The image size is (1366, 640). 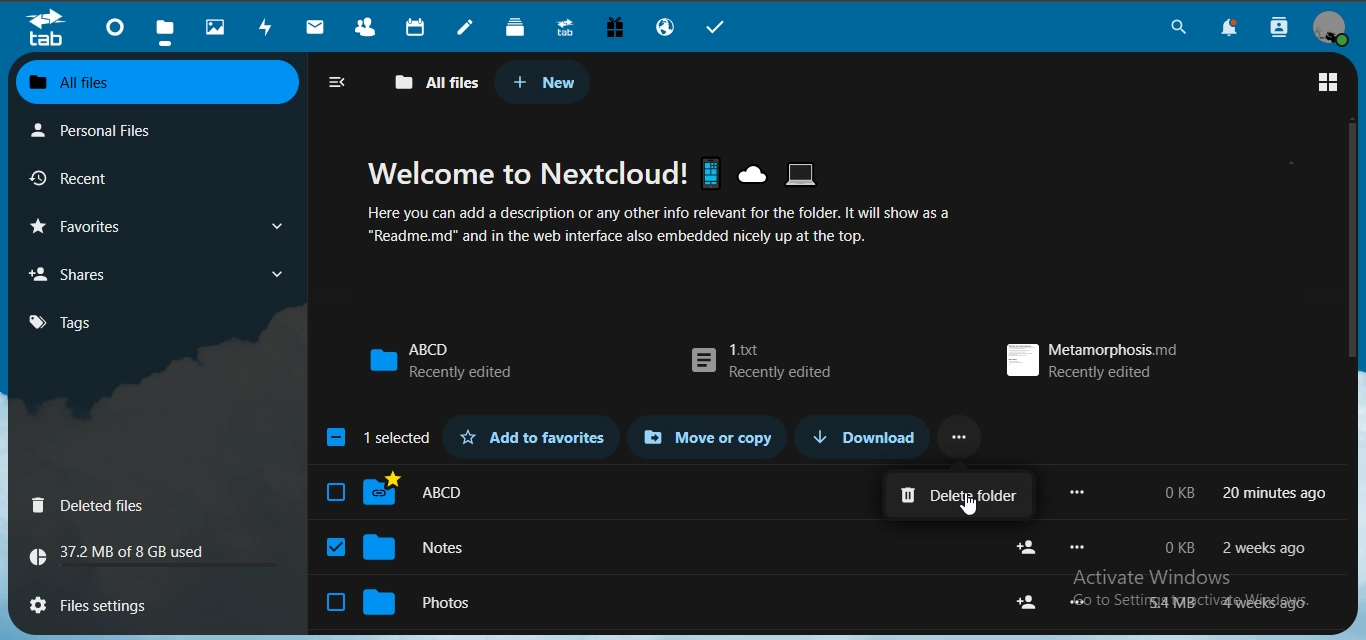 I want to click on ABCD, so click(x=490, y=495).